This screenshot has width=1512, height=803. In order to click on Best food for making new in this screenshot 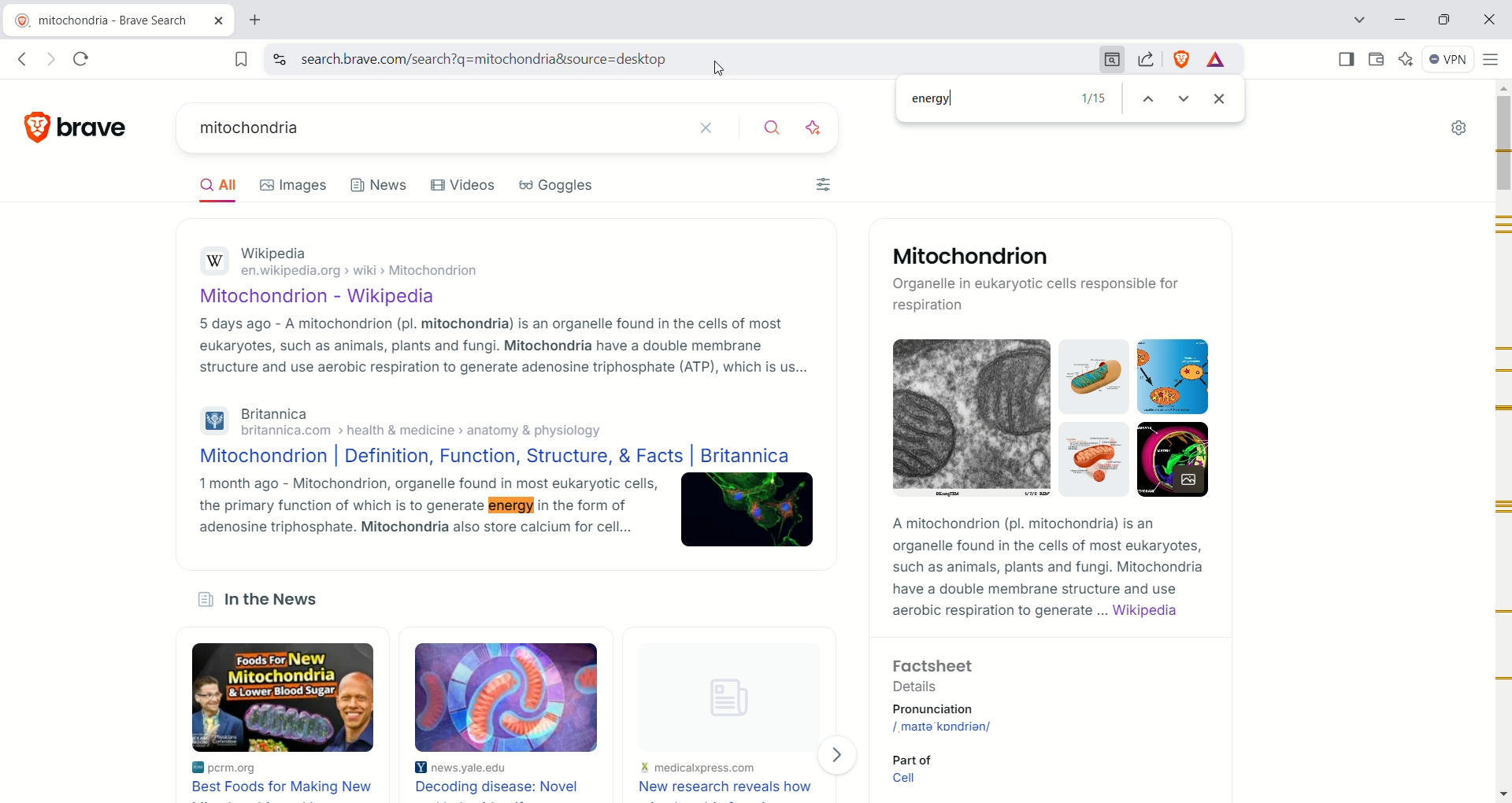, I will do `click(289, 788)`.